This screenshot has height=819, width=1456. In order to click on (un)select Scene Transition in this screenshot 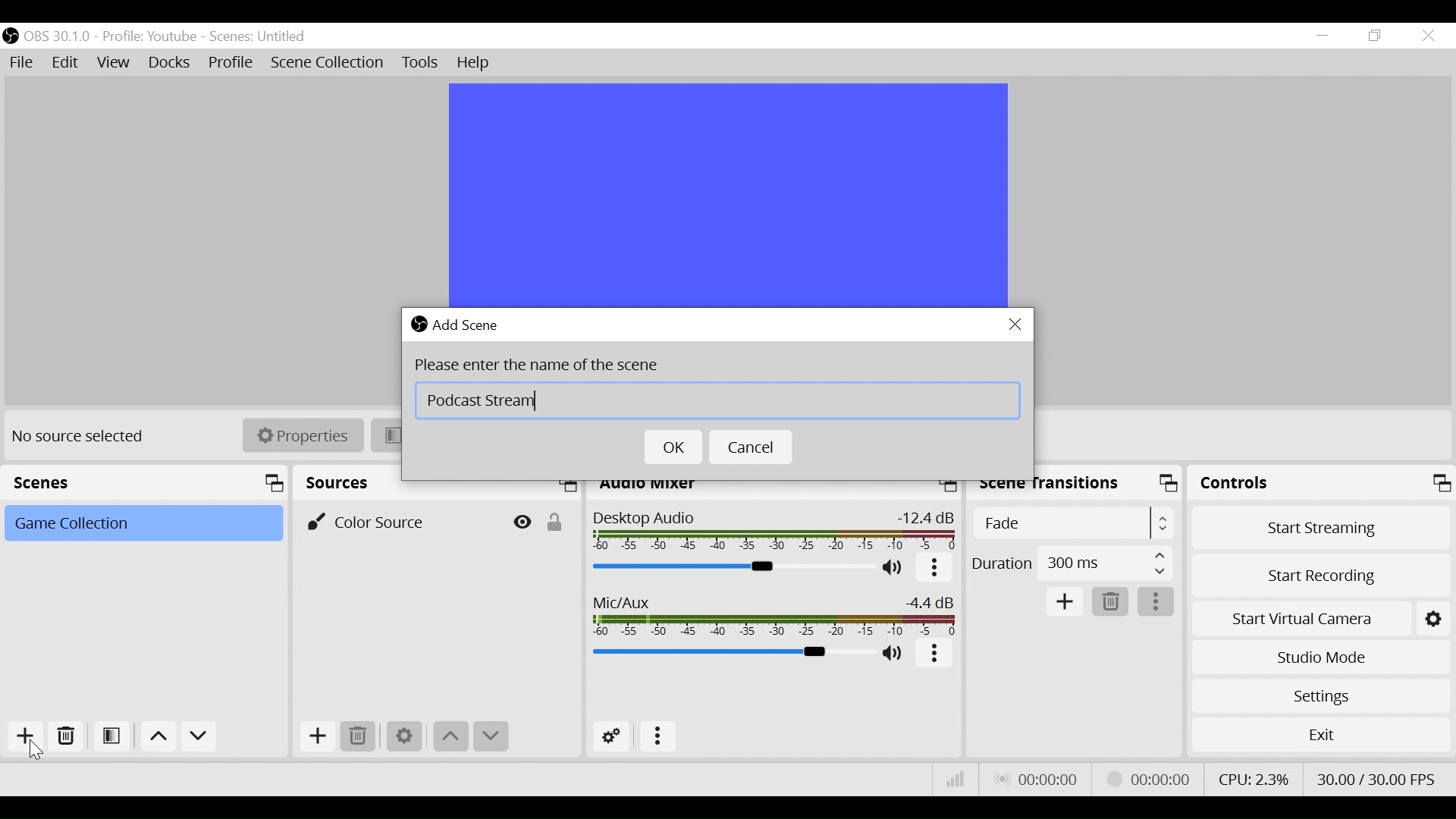, I will do `click(1071, 523)`.